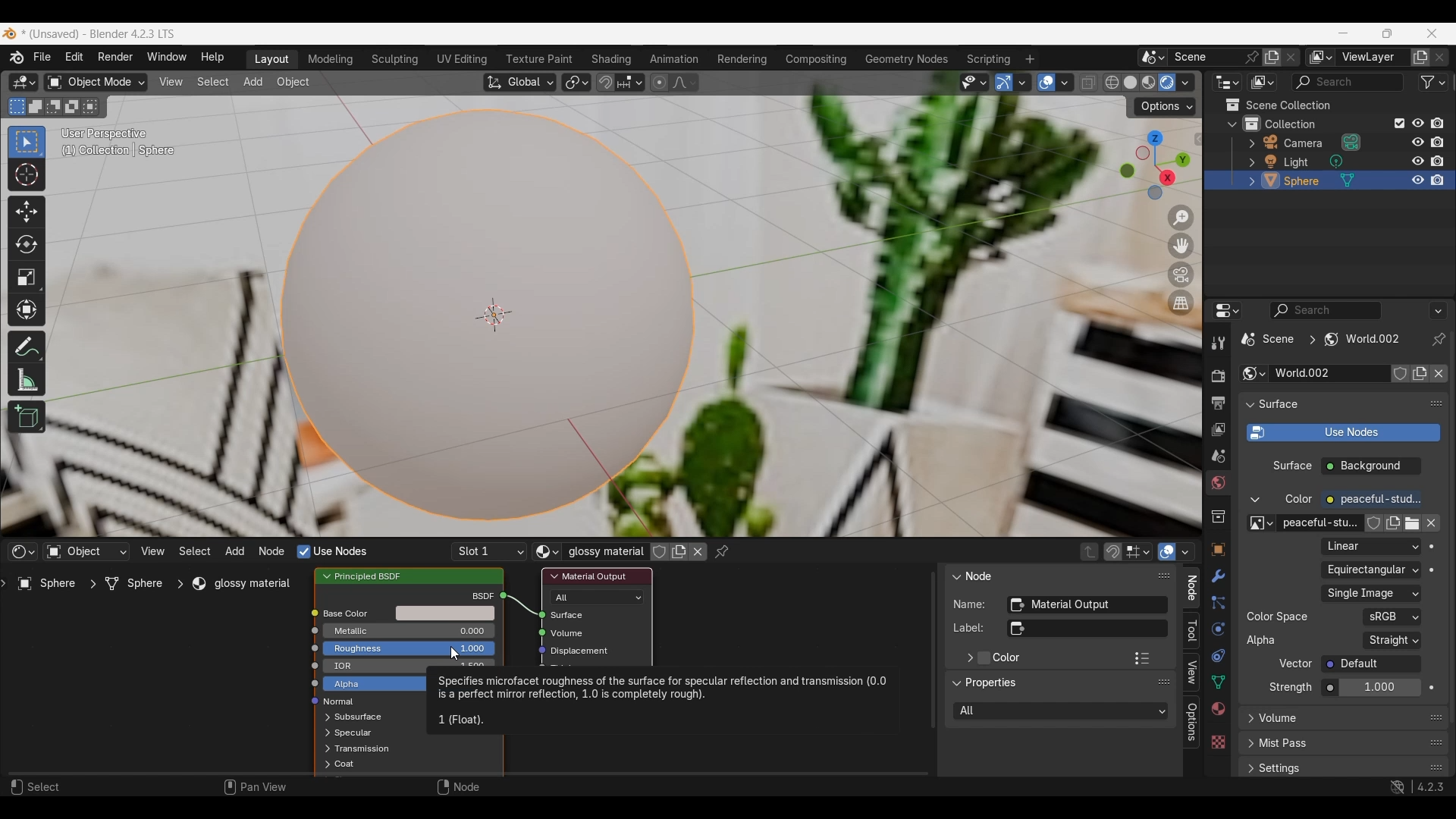 The width and height of the screenshot is (1456, 819). I want to click on Overlays, so click(1185, 551).